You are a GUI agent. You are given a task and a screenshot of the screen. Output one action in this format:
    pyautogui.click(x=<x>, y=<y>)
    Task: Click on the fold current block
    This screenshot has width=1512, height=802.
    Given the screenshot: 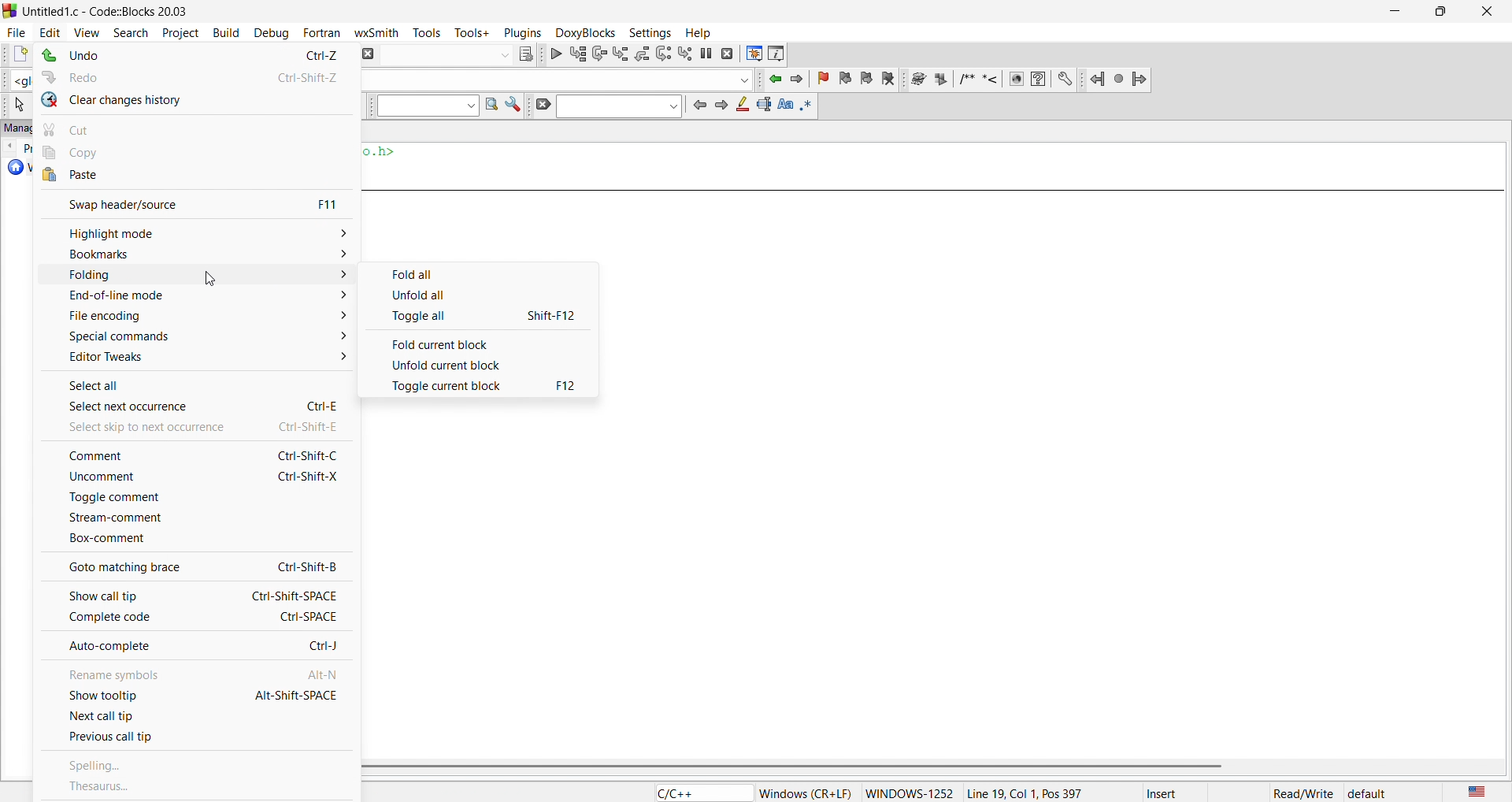 What is the action you would take?
    pyautogui.click(x=480, y=341)
    